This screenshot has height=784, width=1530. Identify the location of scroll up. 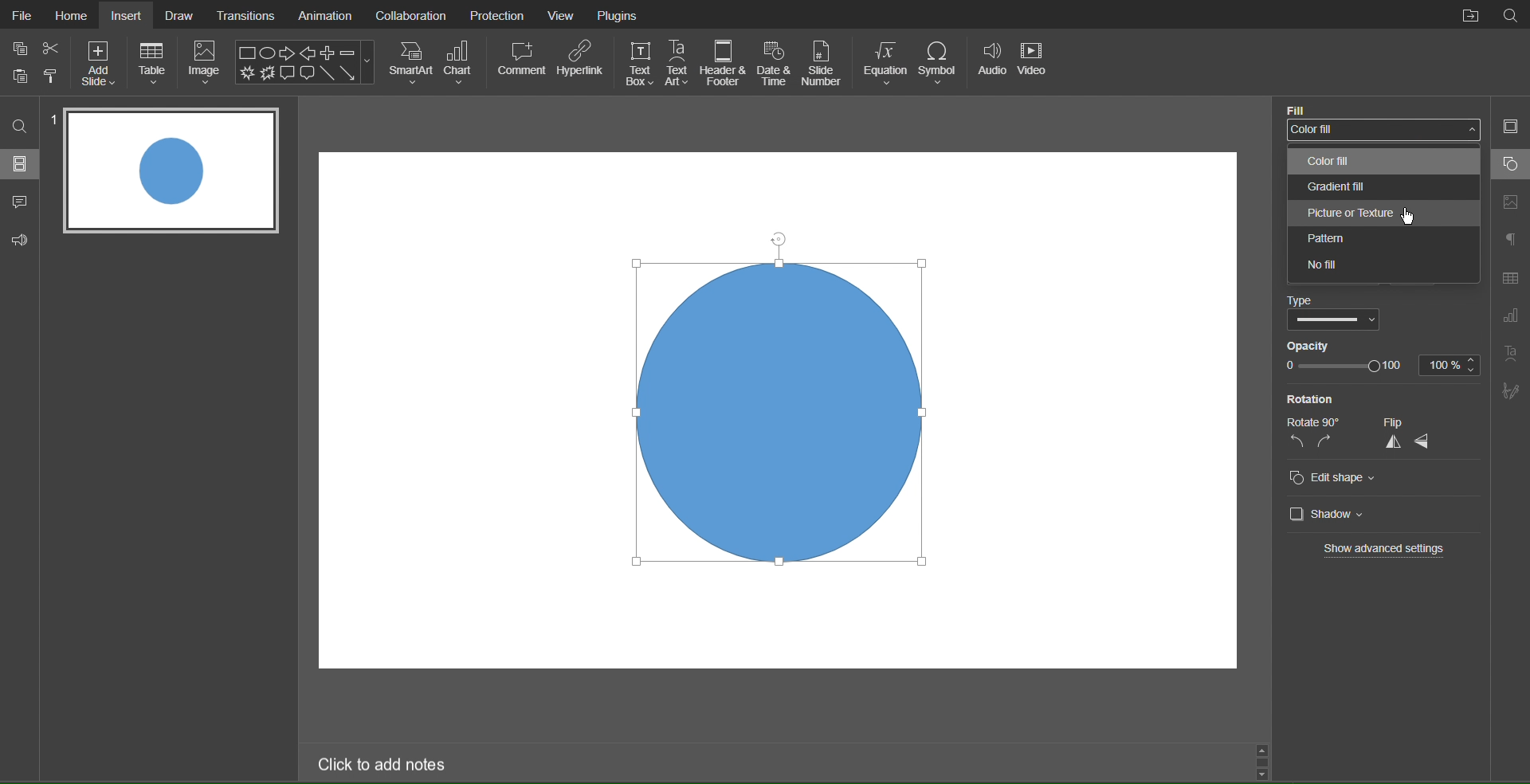
(1259, 749).